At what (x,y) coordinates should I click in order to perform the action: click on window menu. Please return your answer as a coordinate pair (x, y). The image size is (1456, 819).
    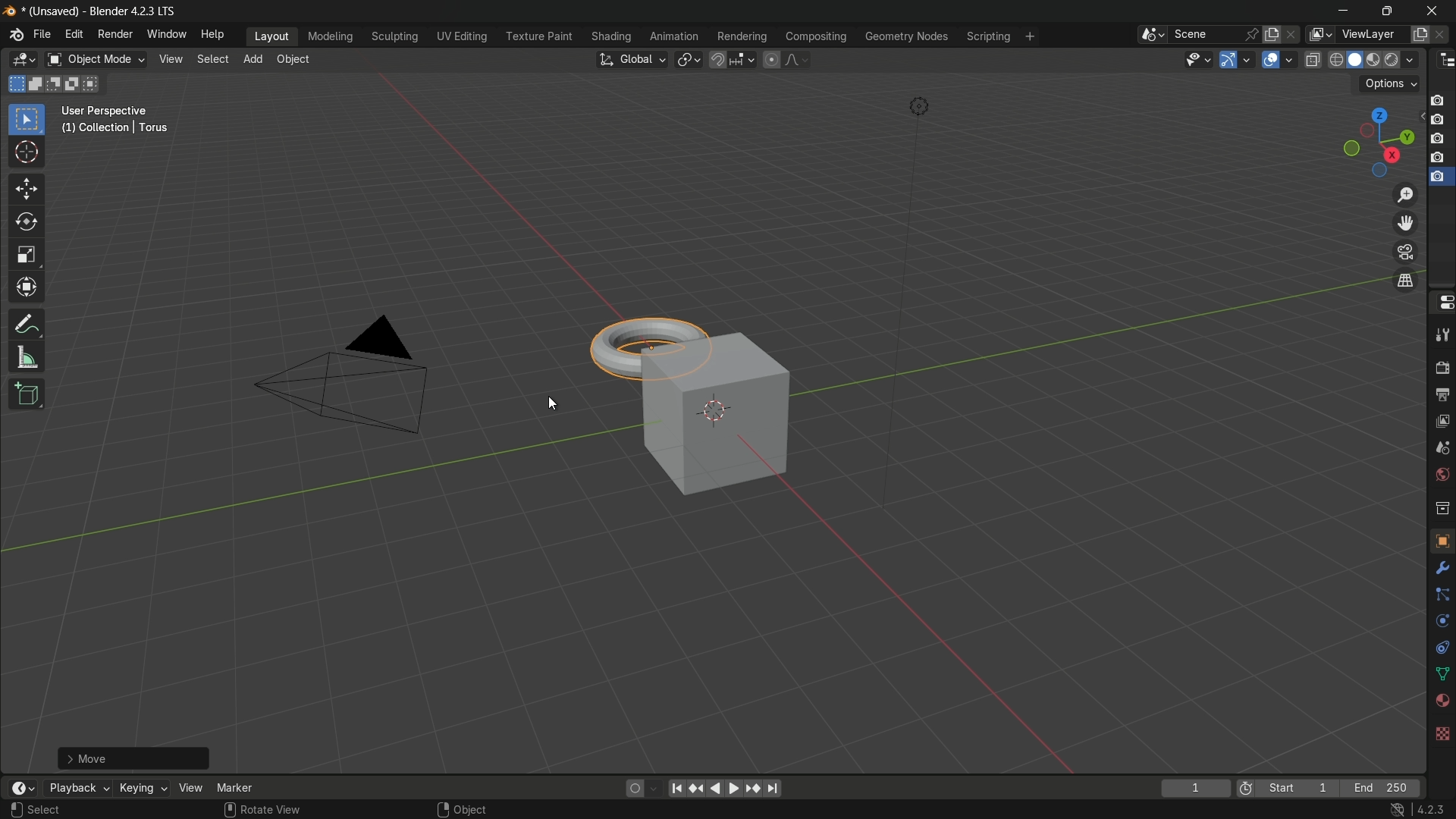
    Looking at the image, I should click on (165, 33).